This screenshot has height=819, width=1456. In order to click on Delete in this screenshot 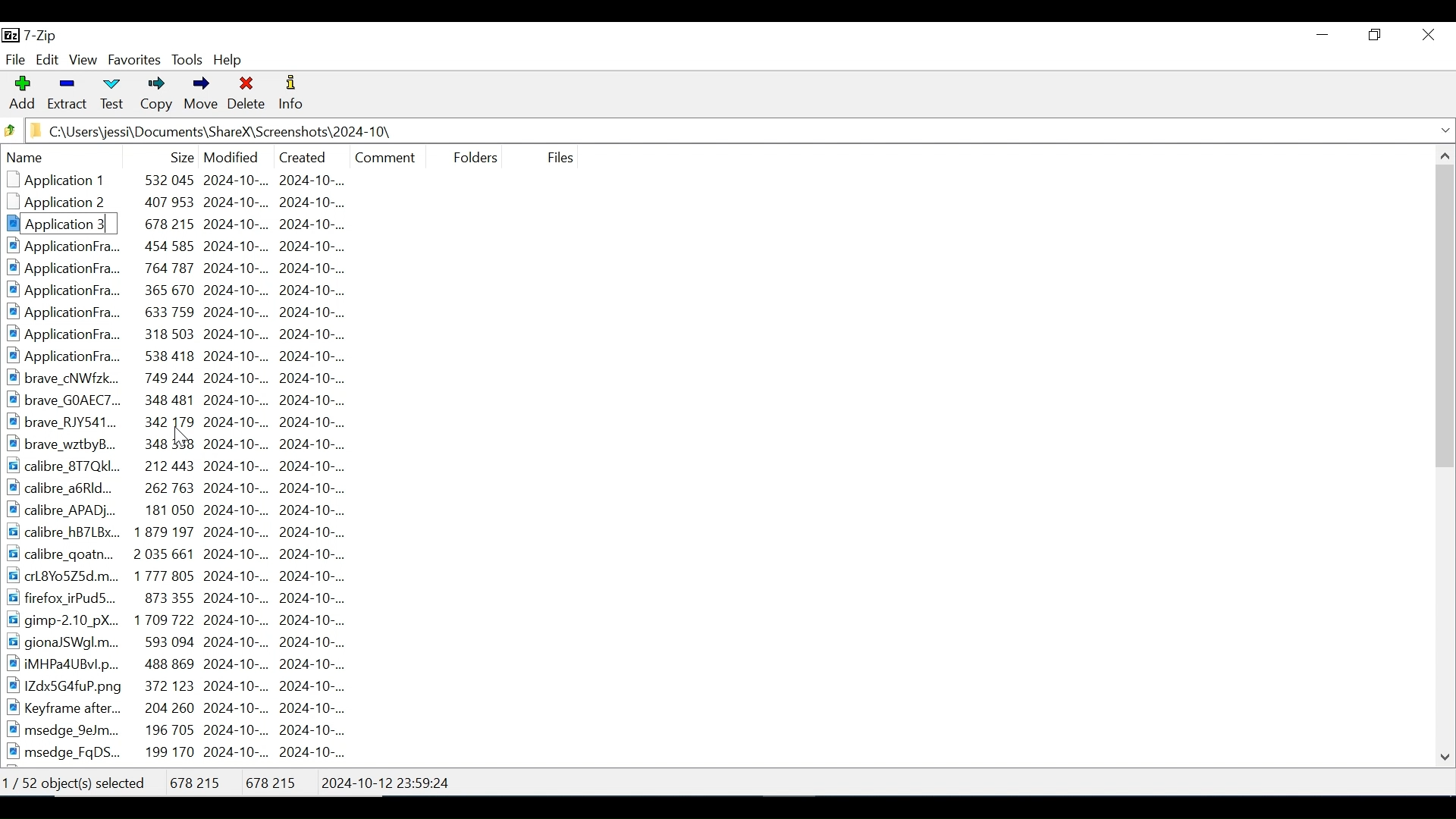, I will do `click(247, 96)`.